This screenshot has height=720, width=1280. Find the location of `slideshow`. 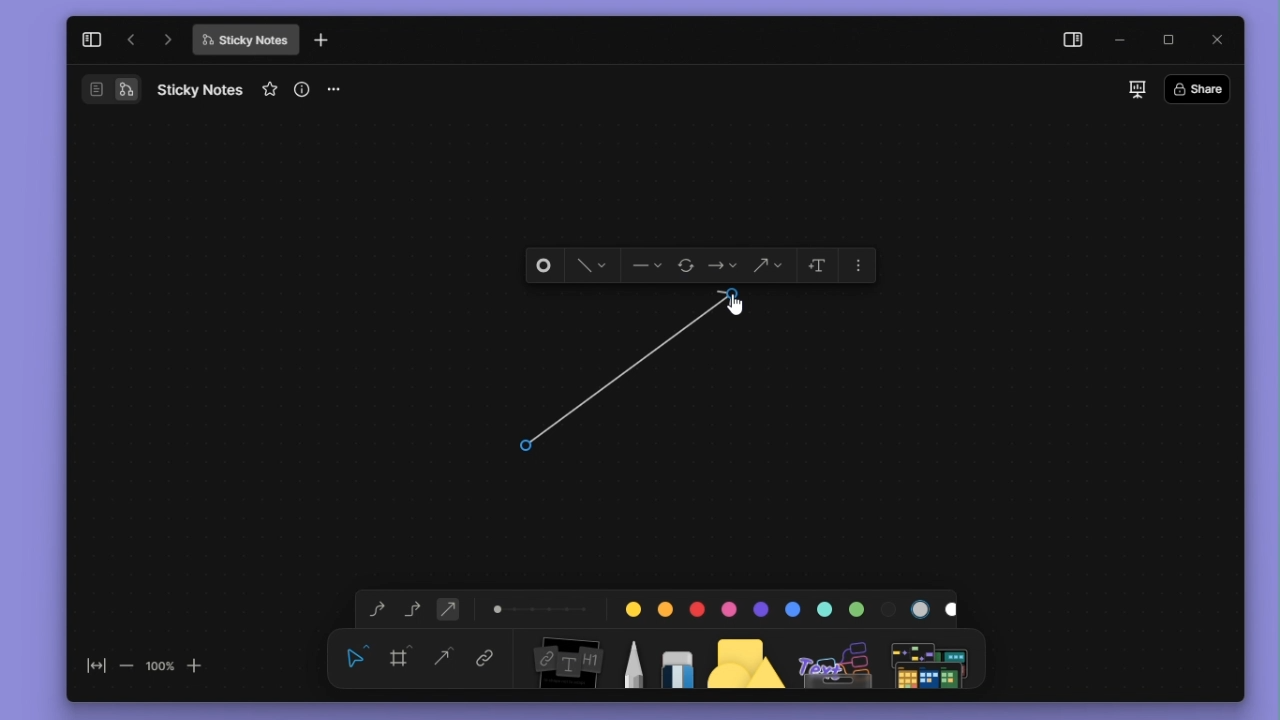

slideshow is located at coordinates (1136, 89).